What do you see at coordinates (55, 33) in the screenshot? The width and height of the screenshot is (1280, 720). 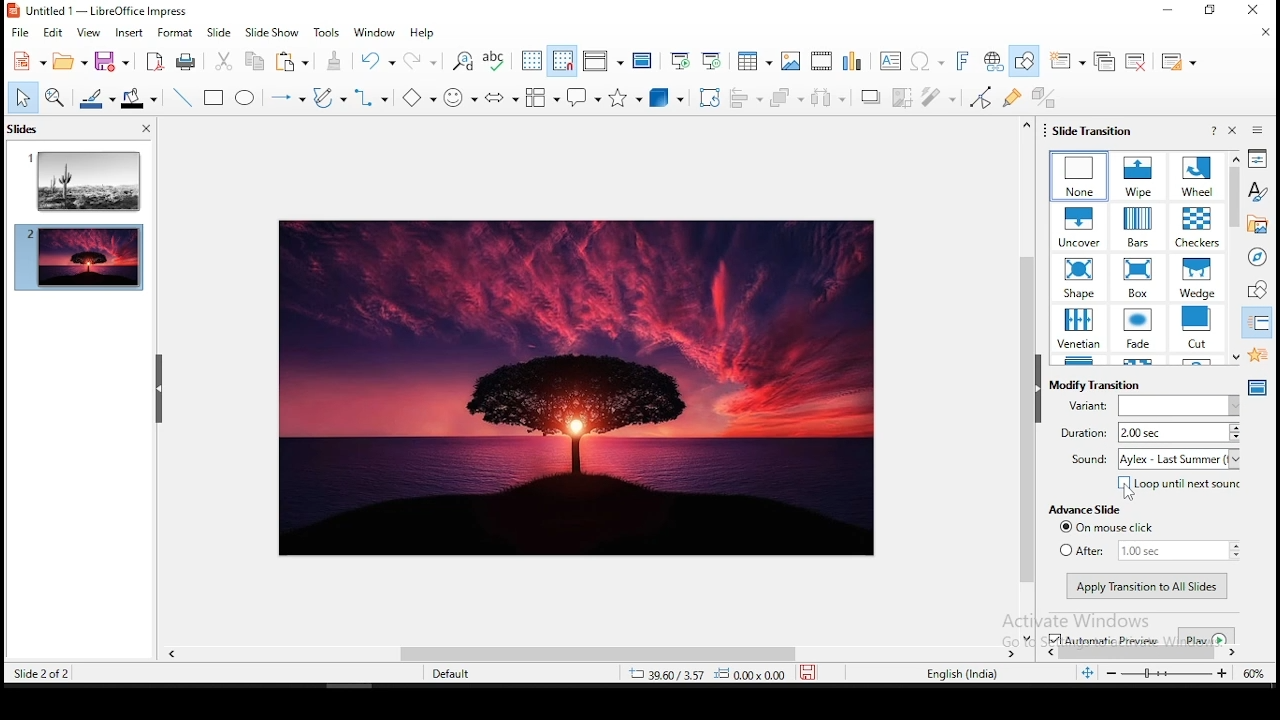 I see `edit` at bounding box center [55, 33].